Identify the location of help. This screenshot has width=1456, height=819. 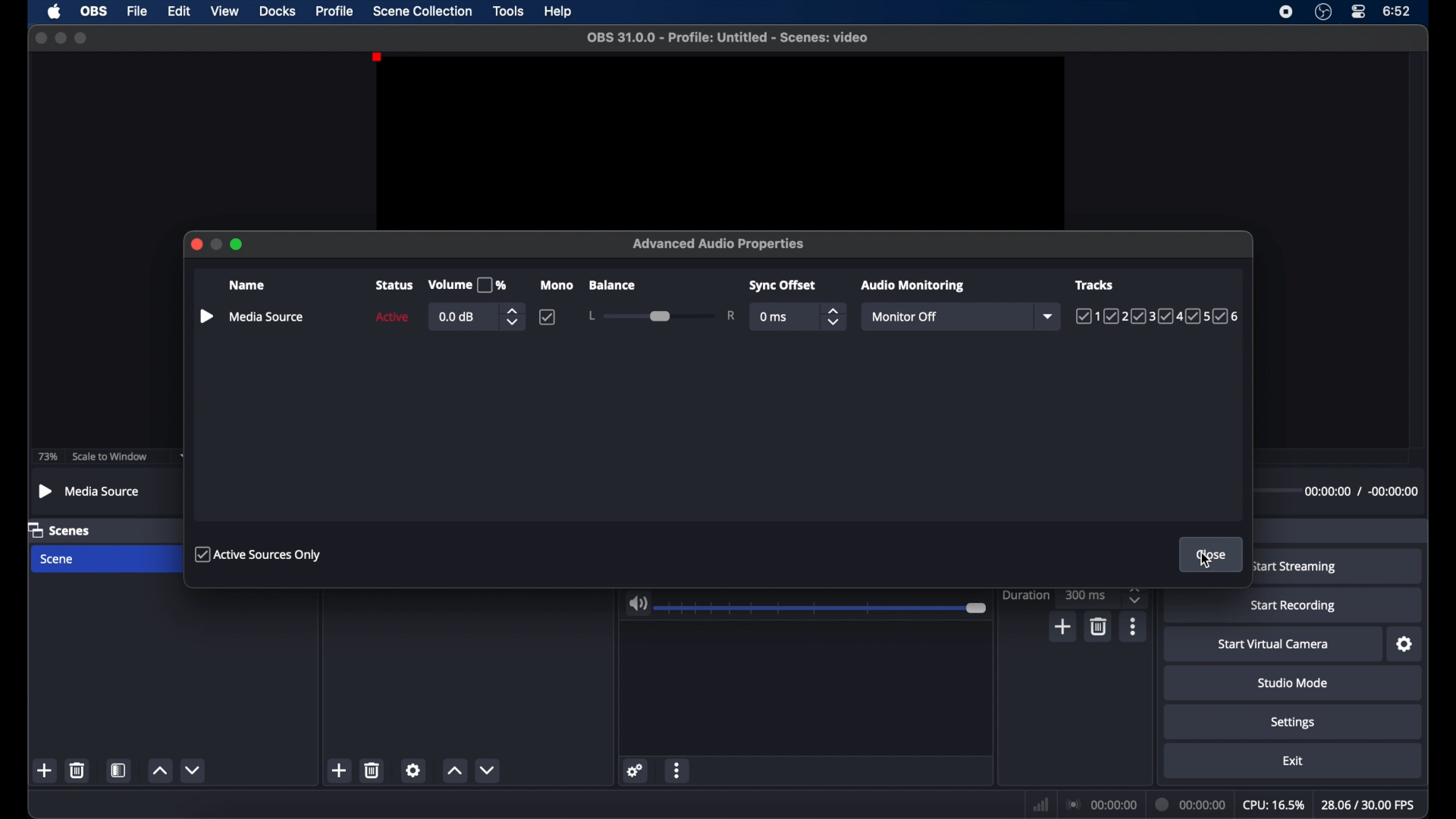
(559, 12).